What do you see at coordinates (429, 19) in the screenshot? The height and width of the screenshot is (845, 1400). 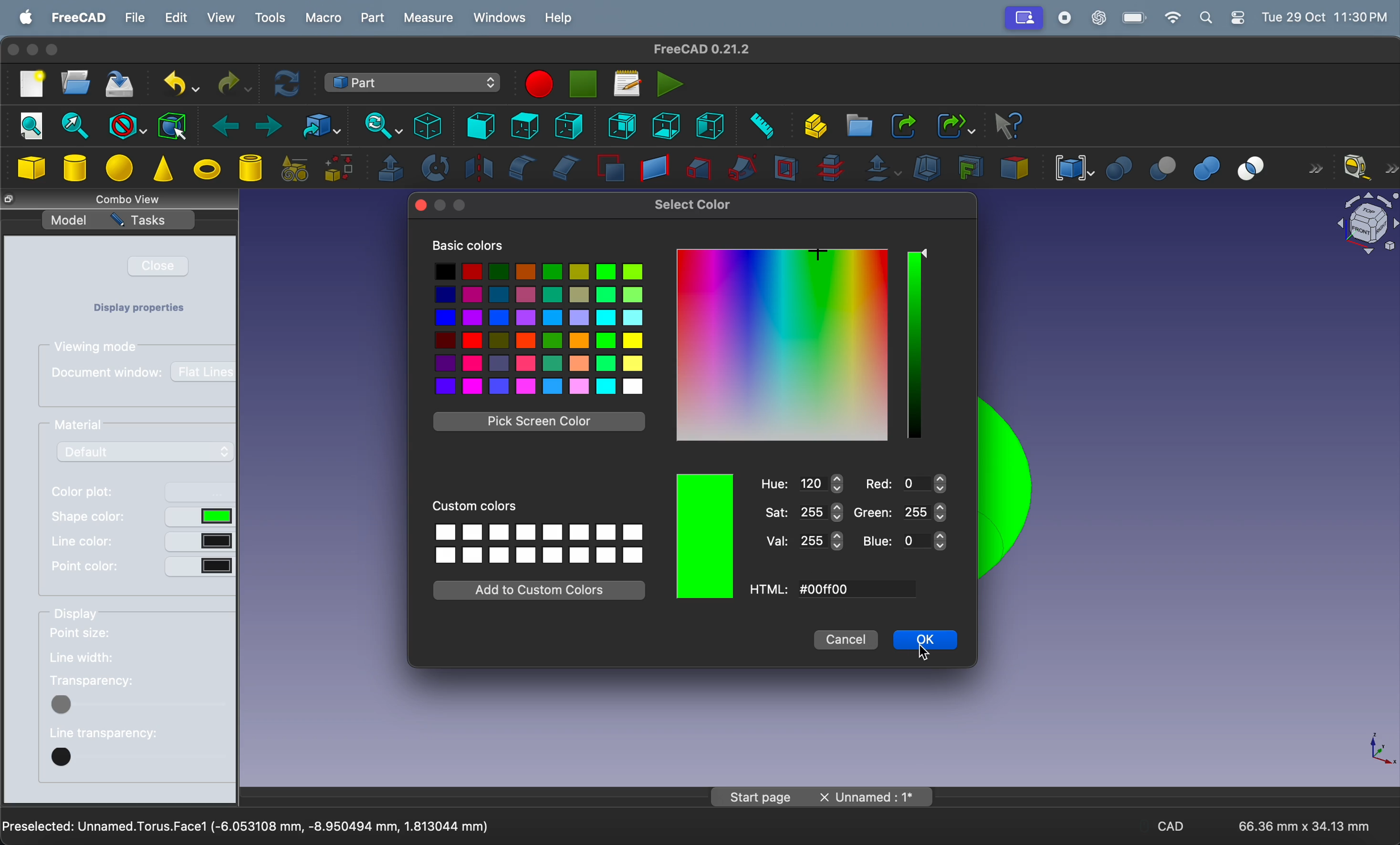 I see `measure` at bounding box center [429, 19].